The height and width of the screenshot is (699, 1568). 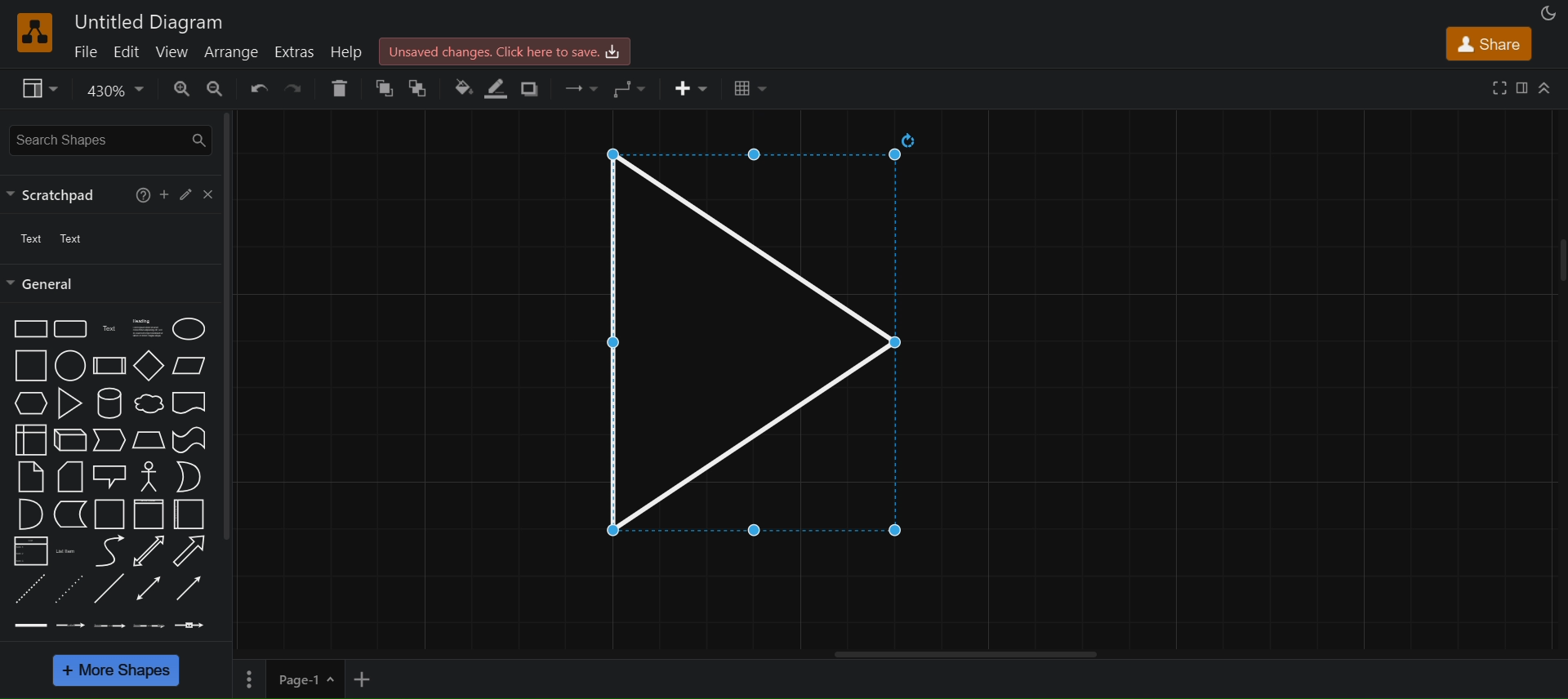 I want to click on Table, so click(x=751, y=89).